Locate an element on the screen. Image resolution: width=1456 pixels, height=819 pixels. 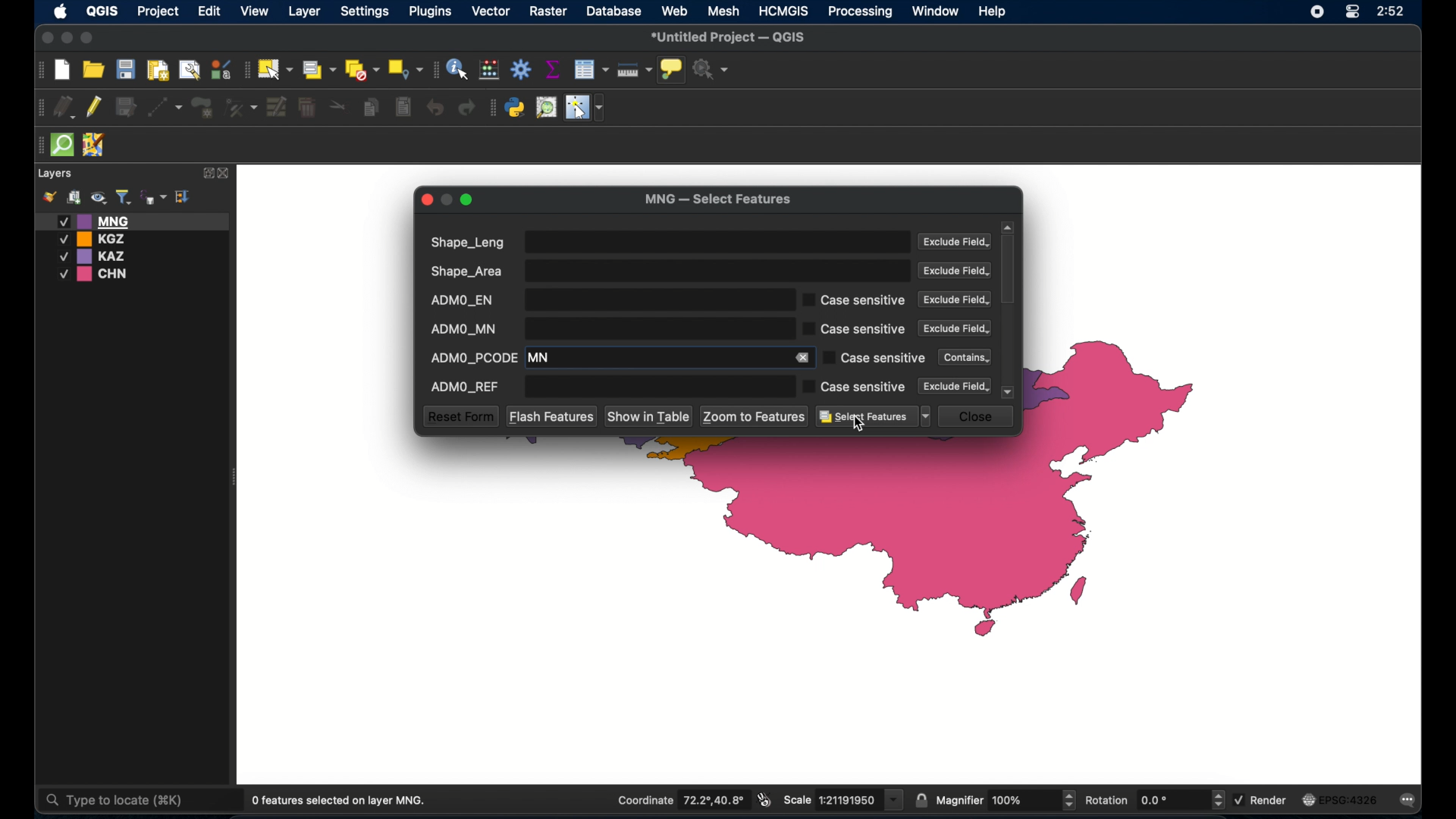
python console is located at coordinates (516, 108).